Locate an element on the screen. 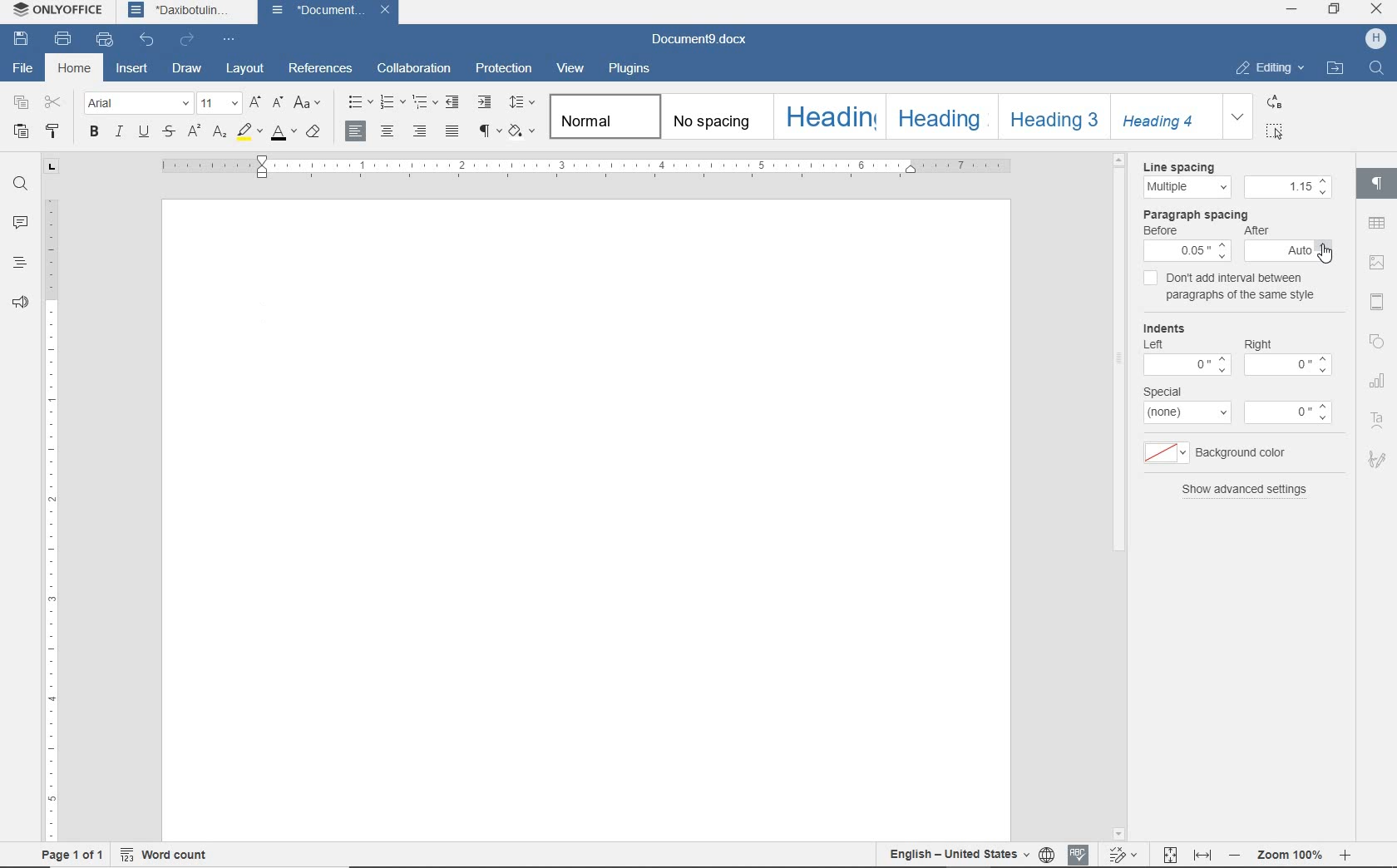 This screenshot has width=1397, height=868. font is located at coordinates (136, 104).